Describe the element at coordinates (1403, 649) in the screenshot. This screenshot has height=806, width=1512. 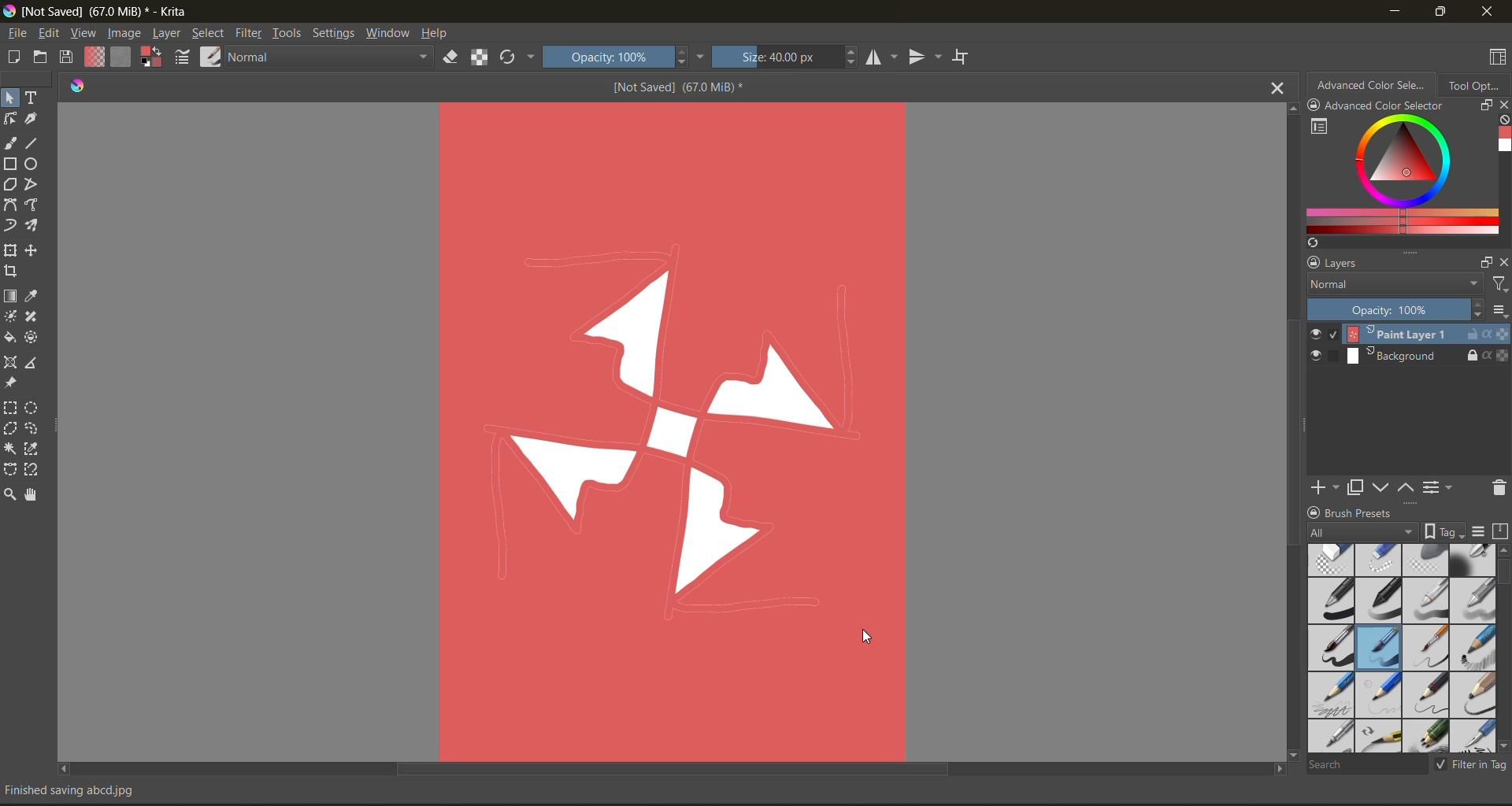
I see `brush presets` at that location.